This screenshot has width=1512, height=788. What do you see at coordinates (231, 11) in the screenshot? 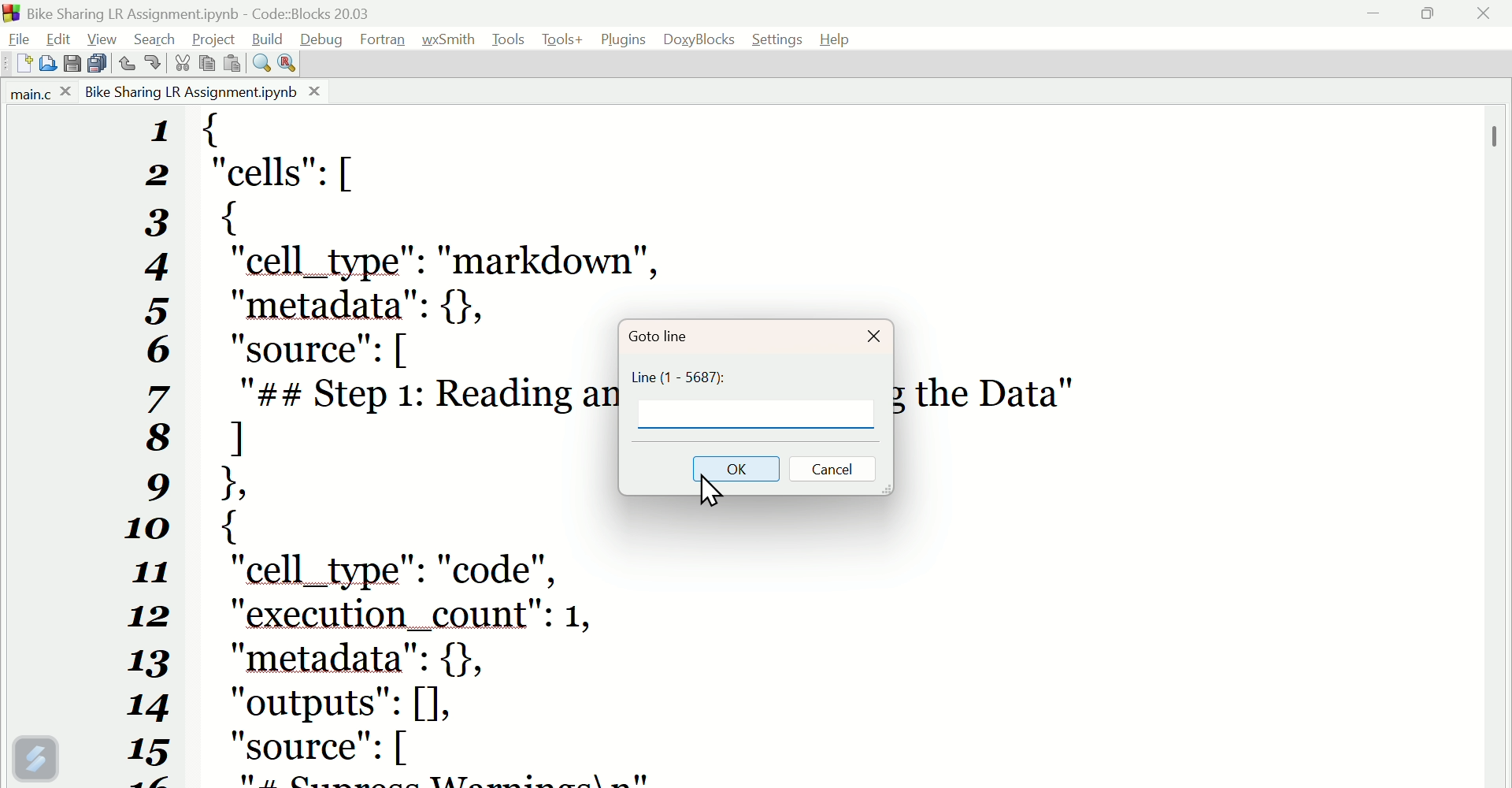
I see `BikesharingLrassignment.Ipynb code blocks 20.03` at bounding box center [231, 11].